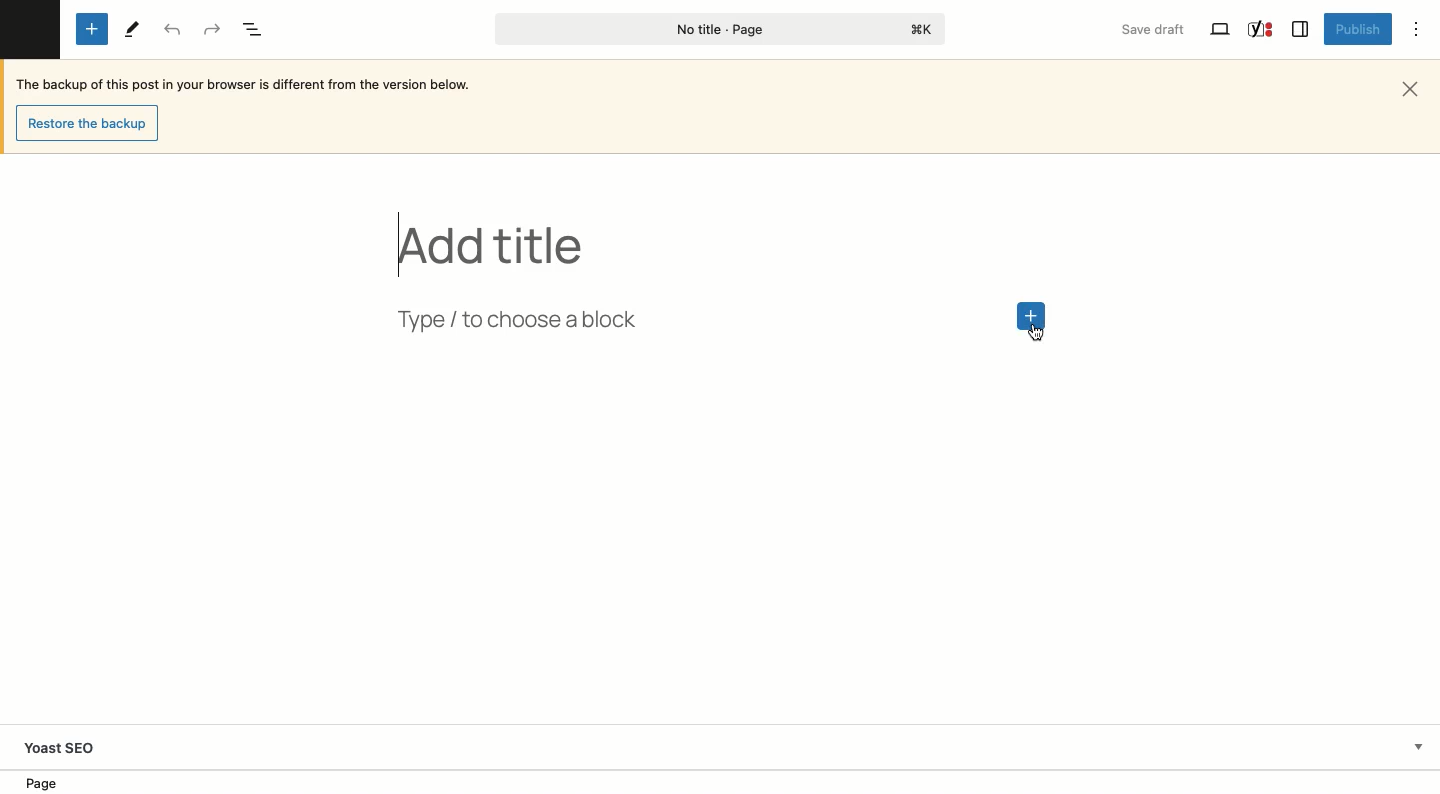 The height and width of the screenshot is (794, 1440). What do you see at coordinates (129, 28) in the screenshot?
I see `Tools` at bounding box center [129, 28].